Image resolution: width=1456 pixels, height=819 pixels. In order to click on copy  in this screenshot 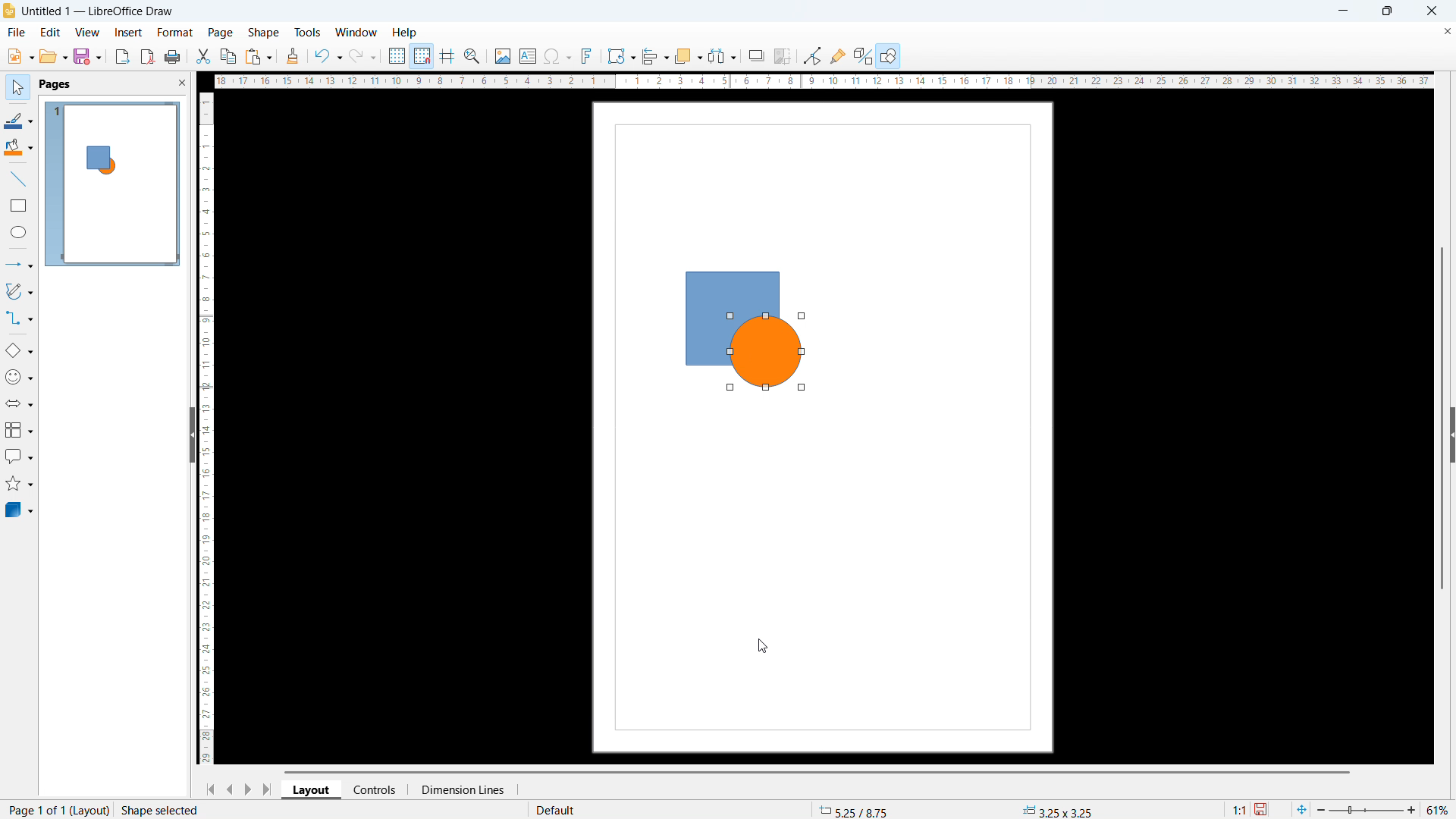, I will do `click(229, 56)`.